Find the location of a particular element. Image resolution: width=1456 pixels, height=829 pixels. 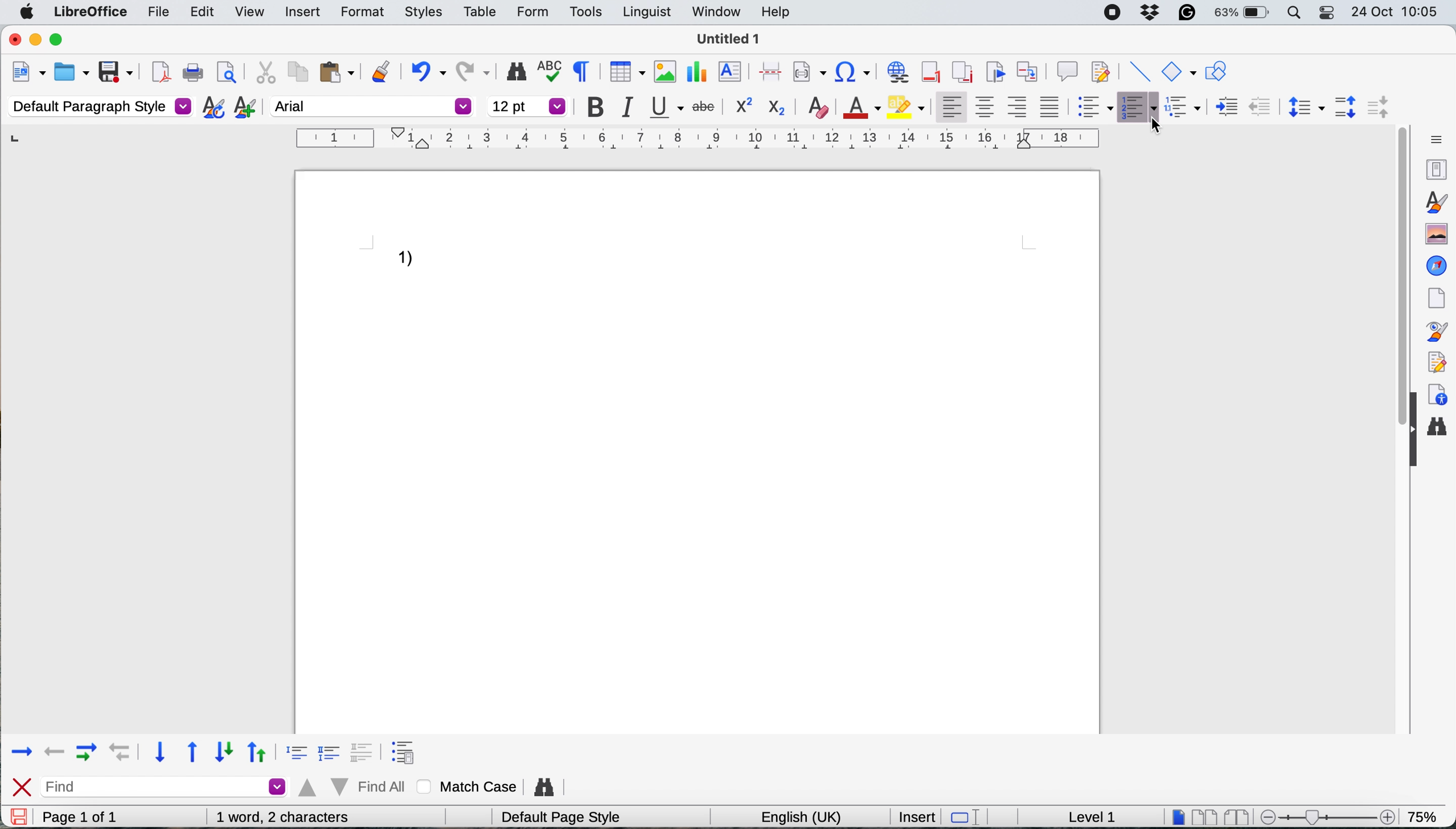

minimise is located at coordinates (36, 40).